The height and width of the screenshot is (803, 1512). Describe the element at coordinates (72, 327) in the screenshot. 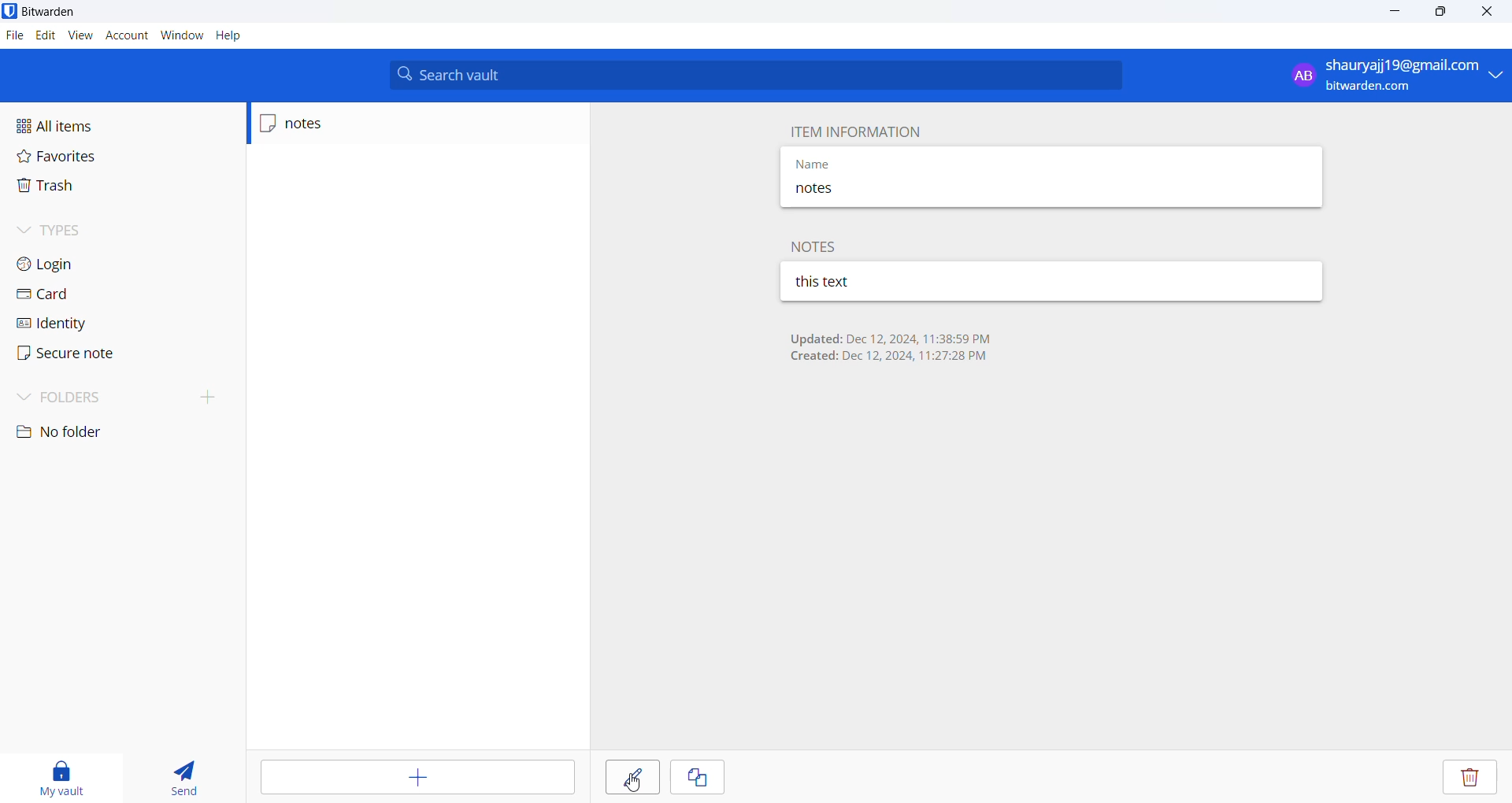

I see `identity` at that location.